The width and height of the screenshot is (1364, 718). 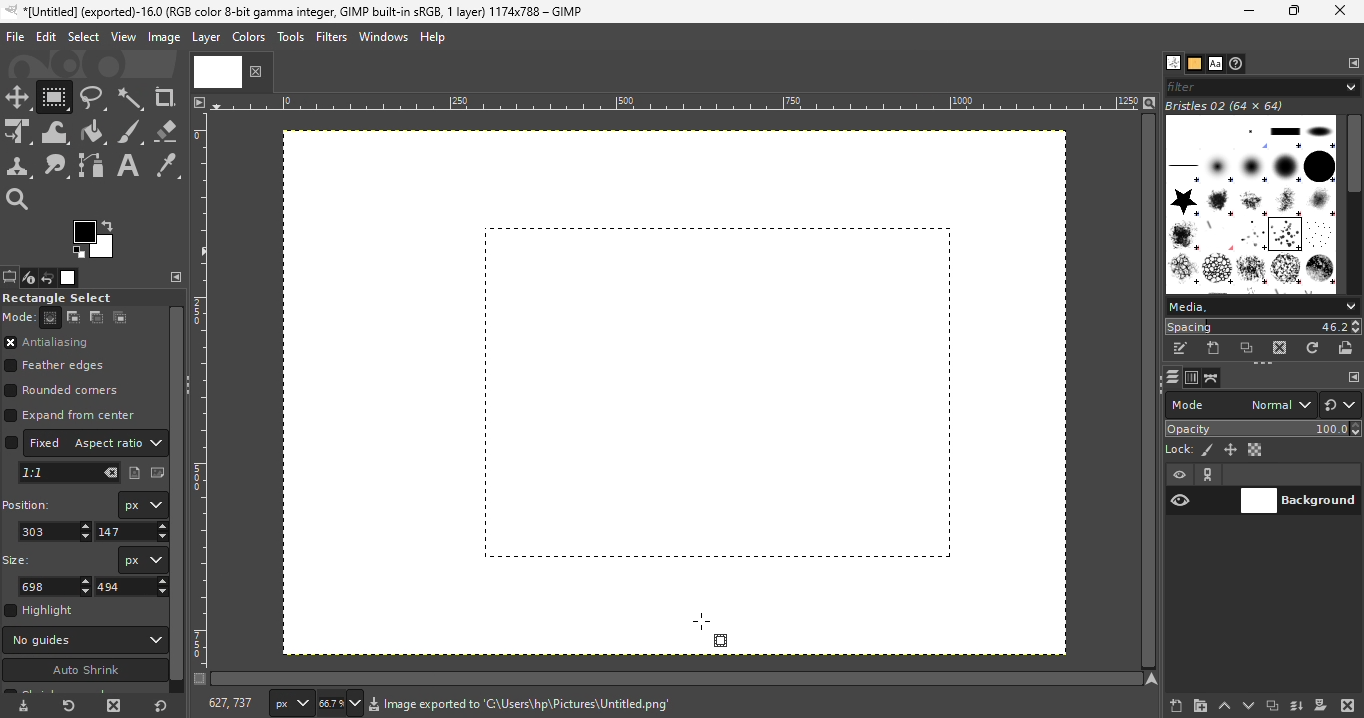 What do you see at coordinates (1354, 377) in the screenshot?
I see `Configure this brush` at bounding box center [1354, 377].